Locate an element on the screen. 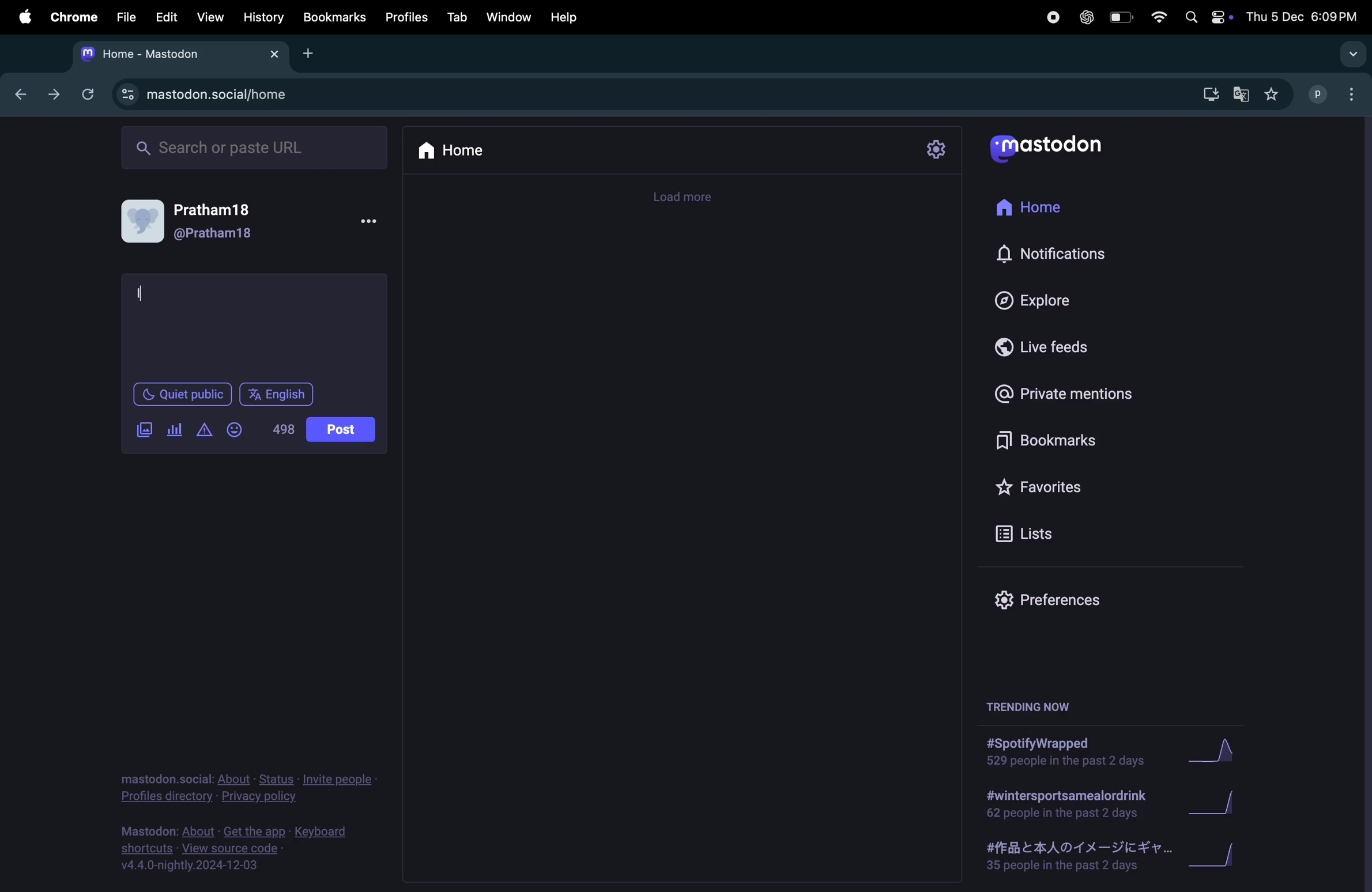  graph is located at coordinates (1213, 755).